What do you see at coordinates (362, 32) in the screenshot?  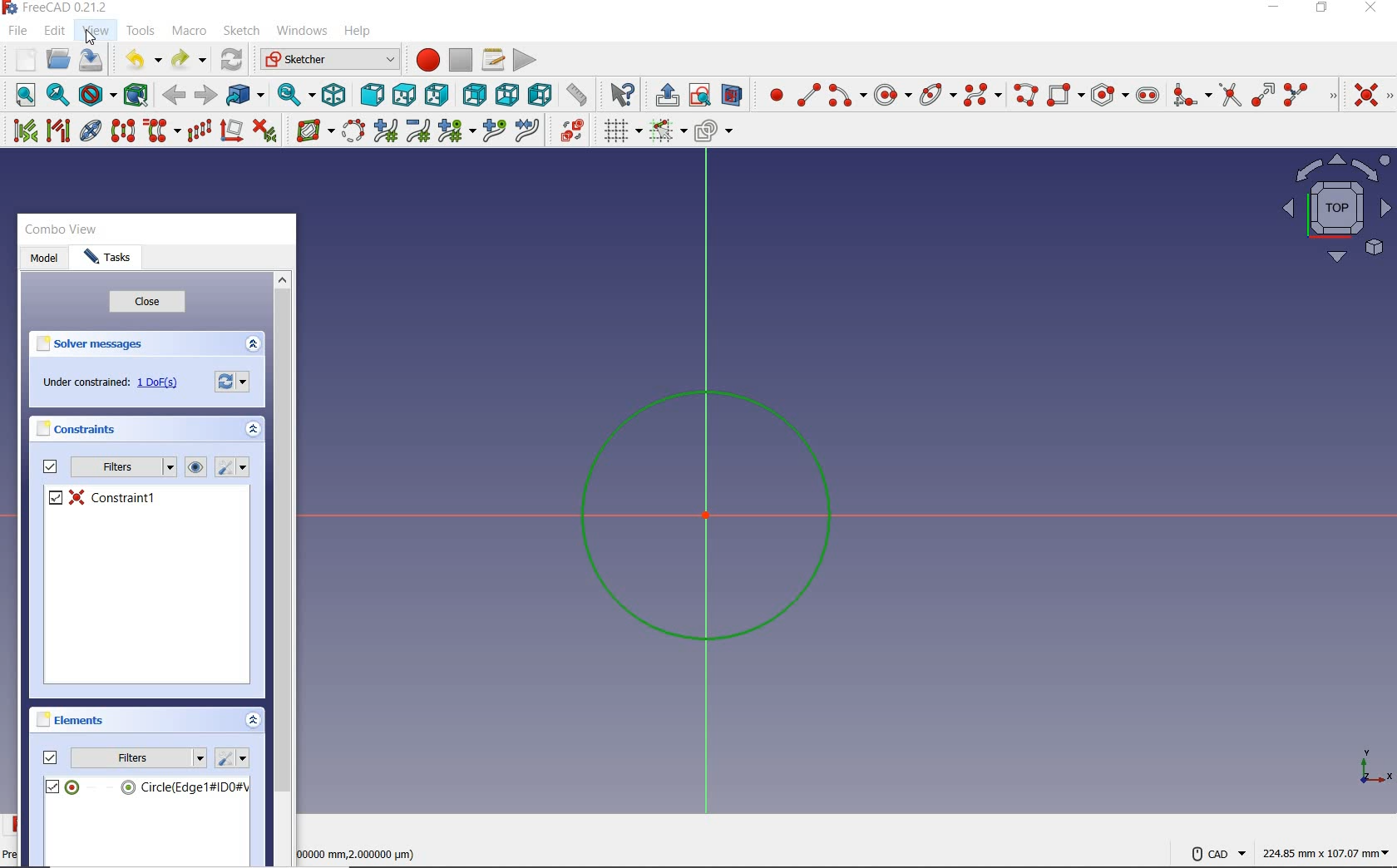 I see `help` at bounding box center [362, 32].